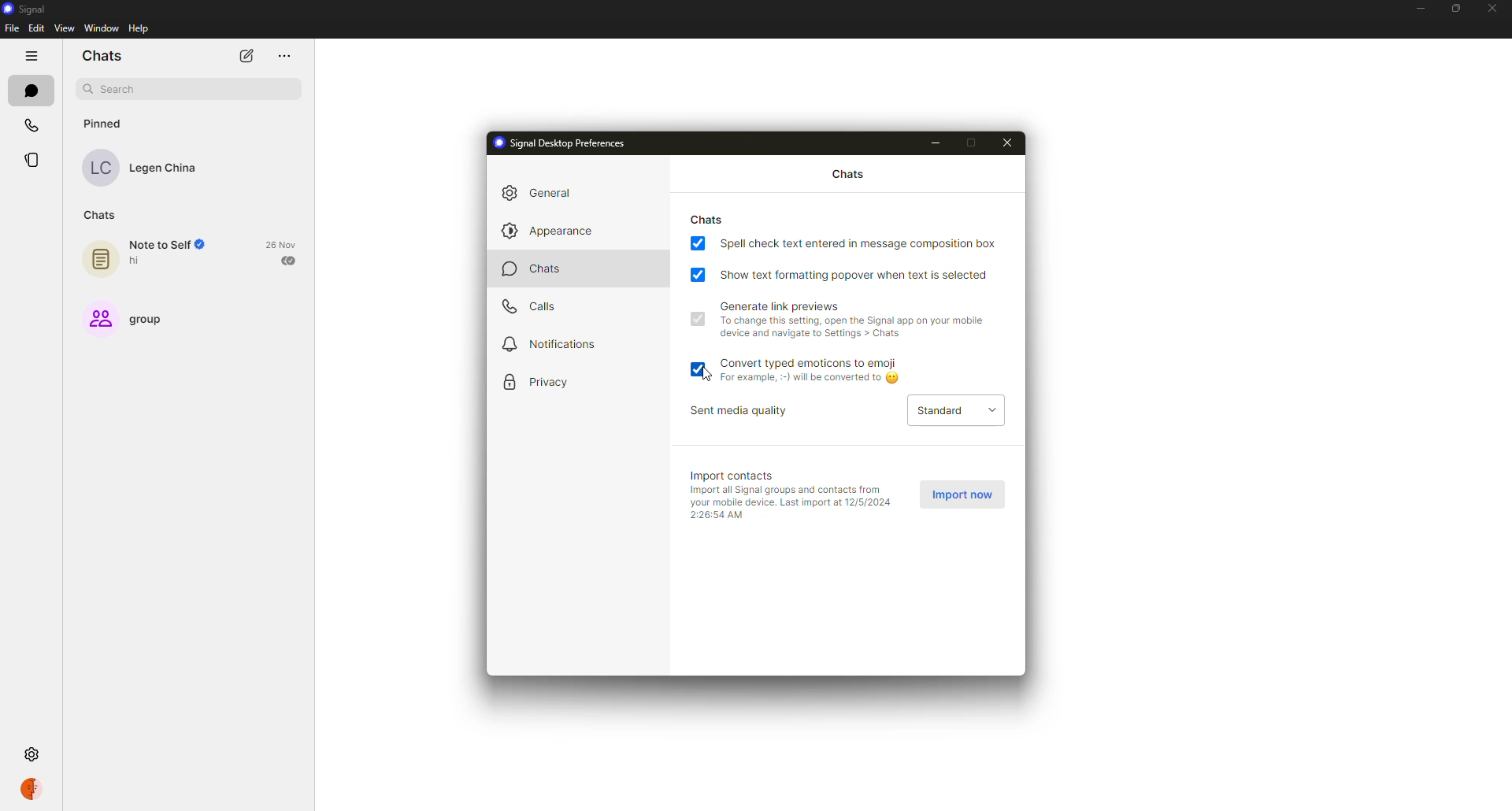  I want to click on chats, so click(102, 56).